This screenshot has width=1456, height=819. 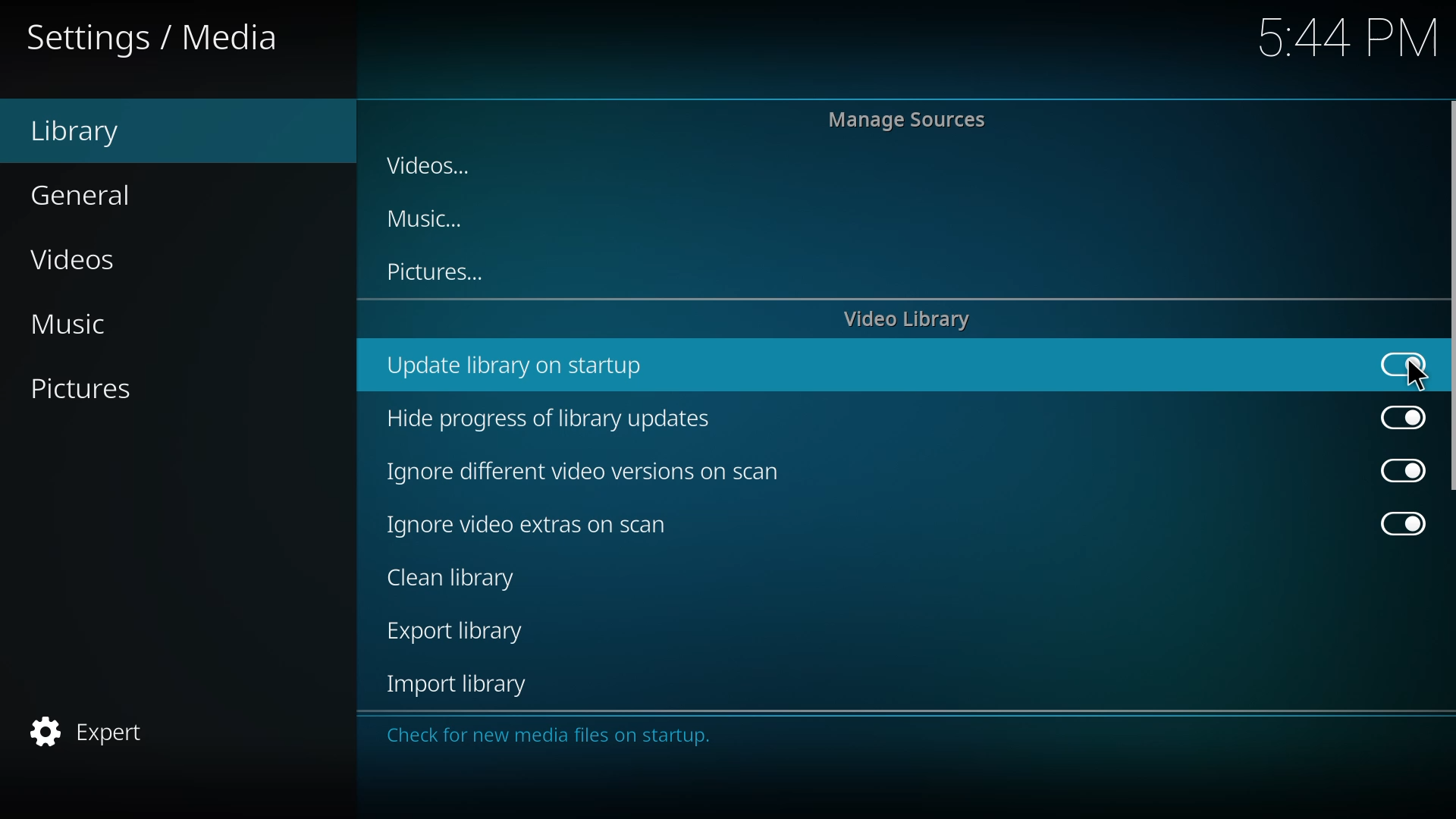 I want to click on videos, so click(x=435, y=165).